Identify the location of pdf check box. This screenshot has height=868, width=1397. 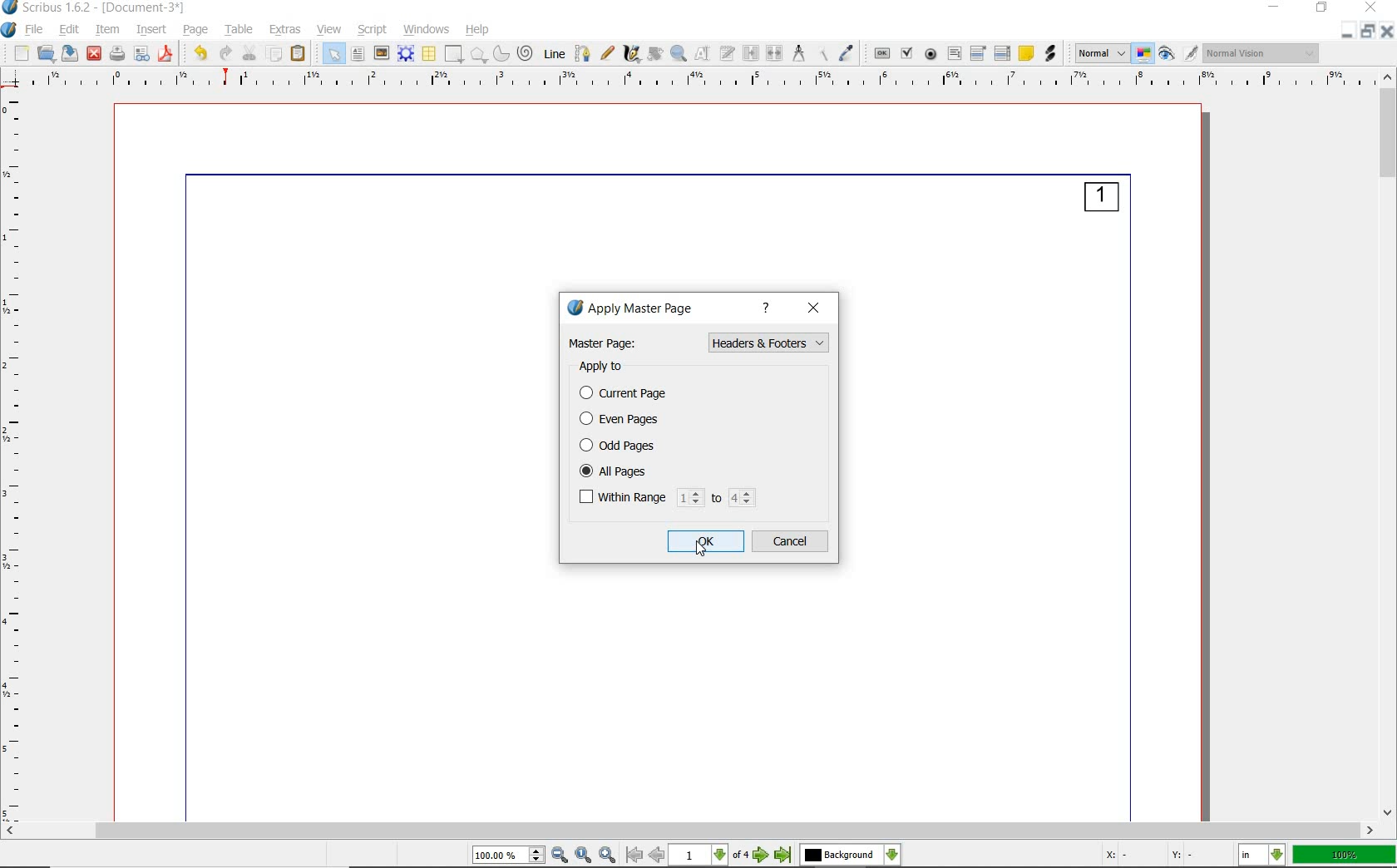
(908, 53).